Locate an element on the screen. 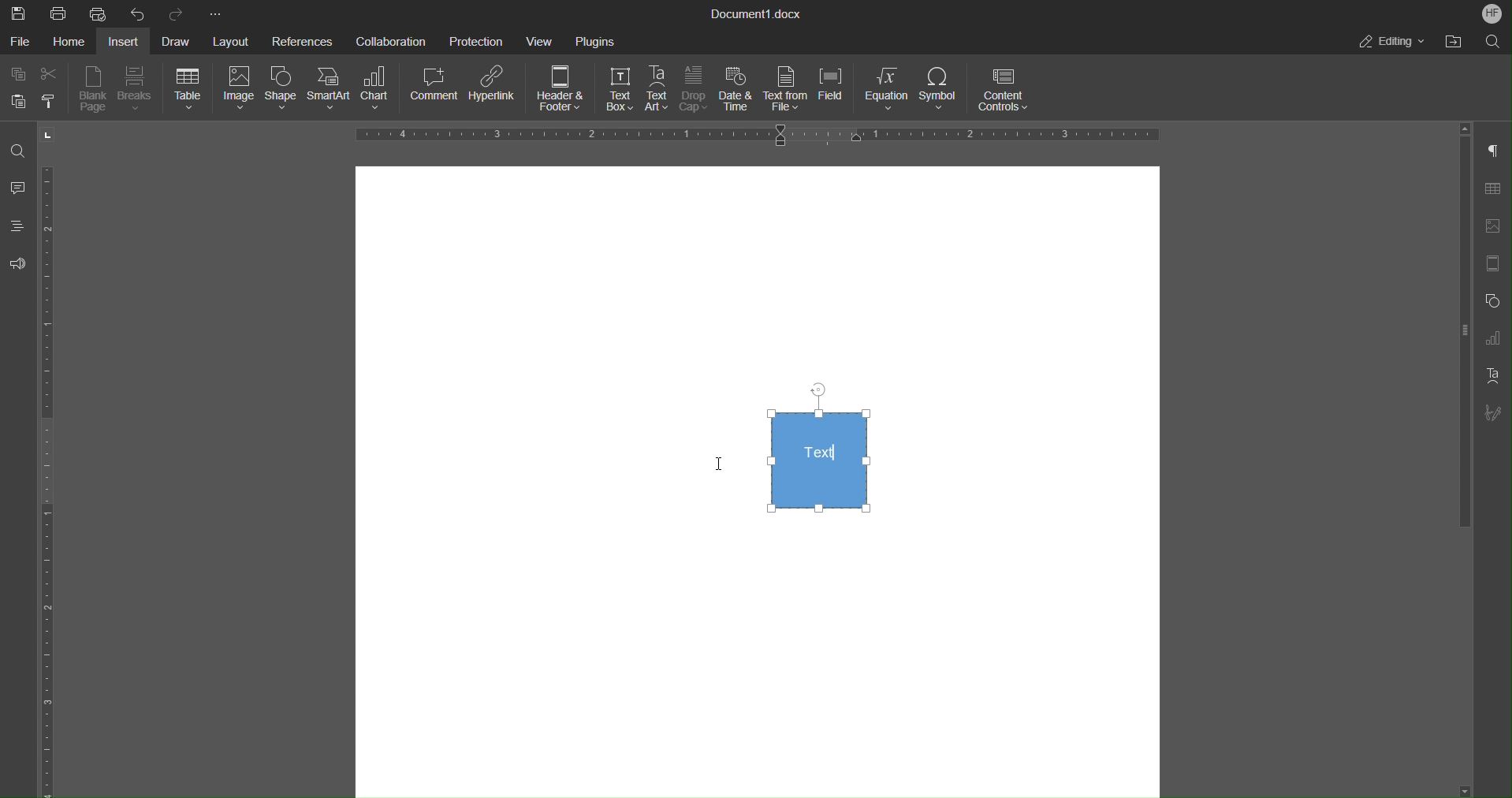  Insert is located at coordinates (127, 41).